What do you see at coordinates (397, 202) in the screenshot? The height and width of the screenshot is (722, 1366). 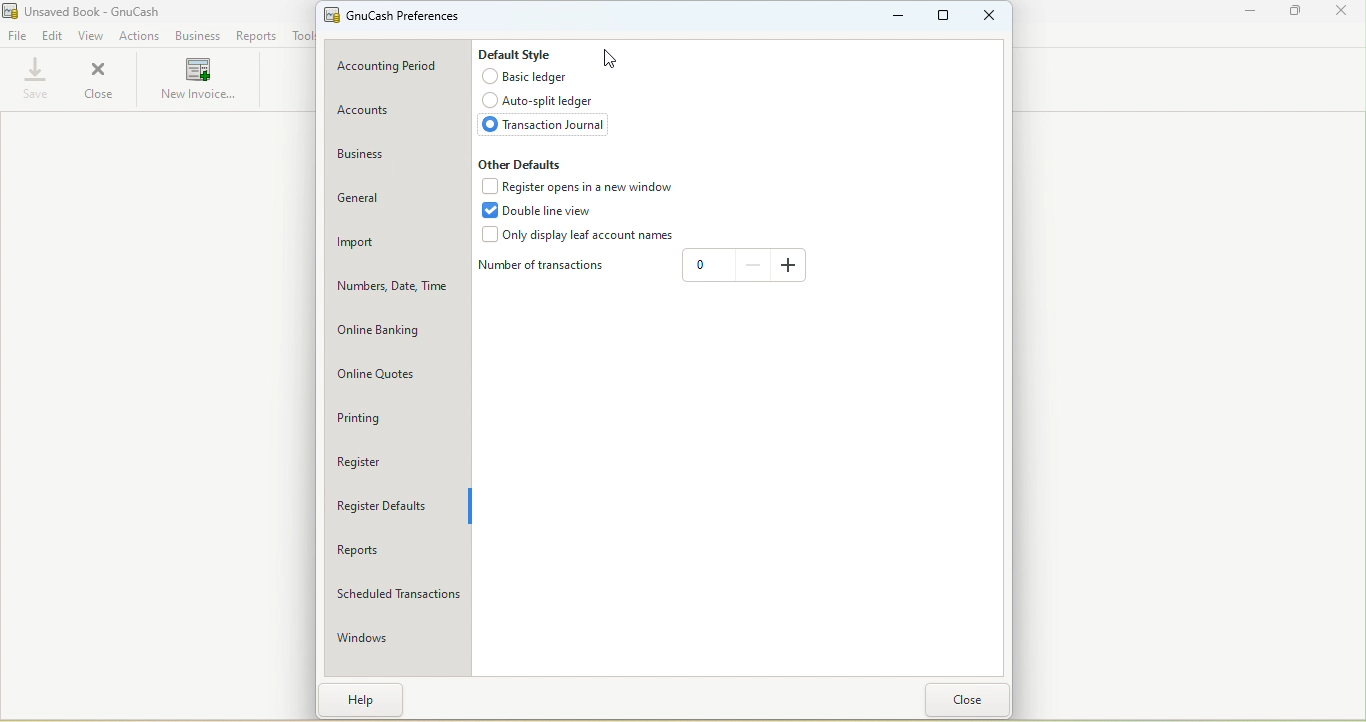 I see `General` at bounding box center [397, 202].